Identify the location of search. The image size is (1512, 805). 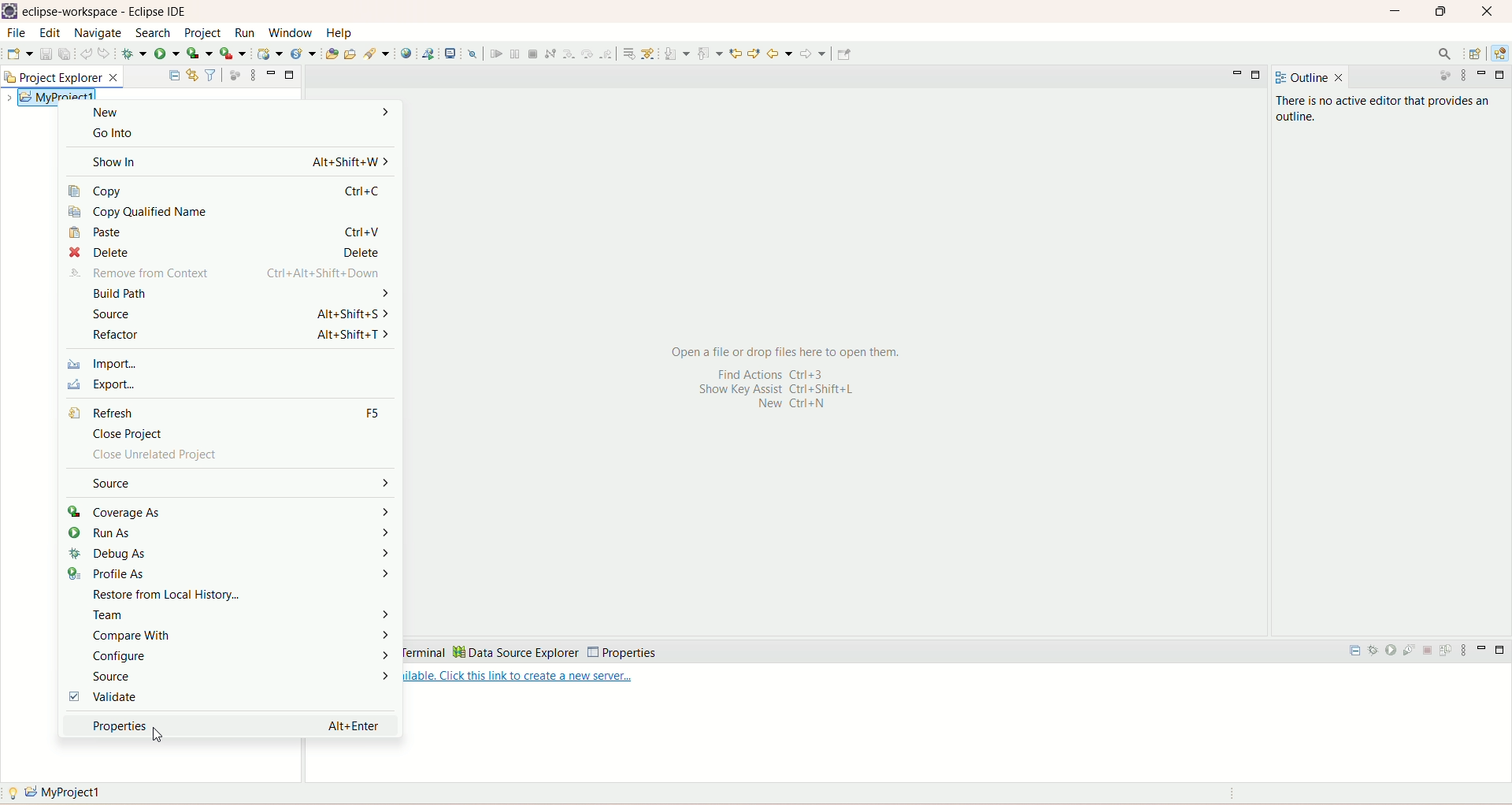
(153, 33).